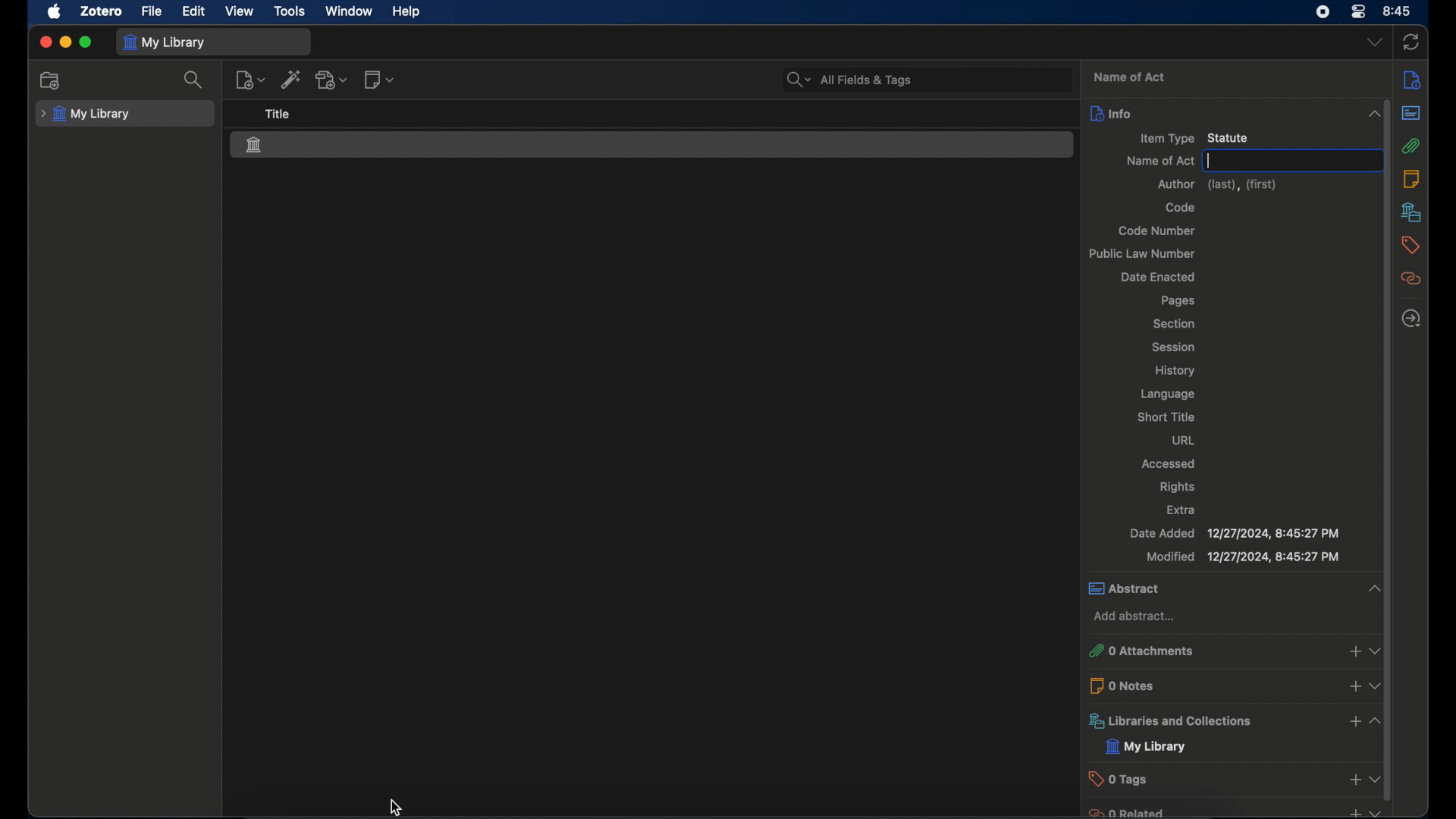 This screenshot has height=819, width=1456. Describe the element at coordinates (1221, 113) in the screenshot. I see `info` at that location.